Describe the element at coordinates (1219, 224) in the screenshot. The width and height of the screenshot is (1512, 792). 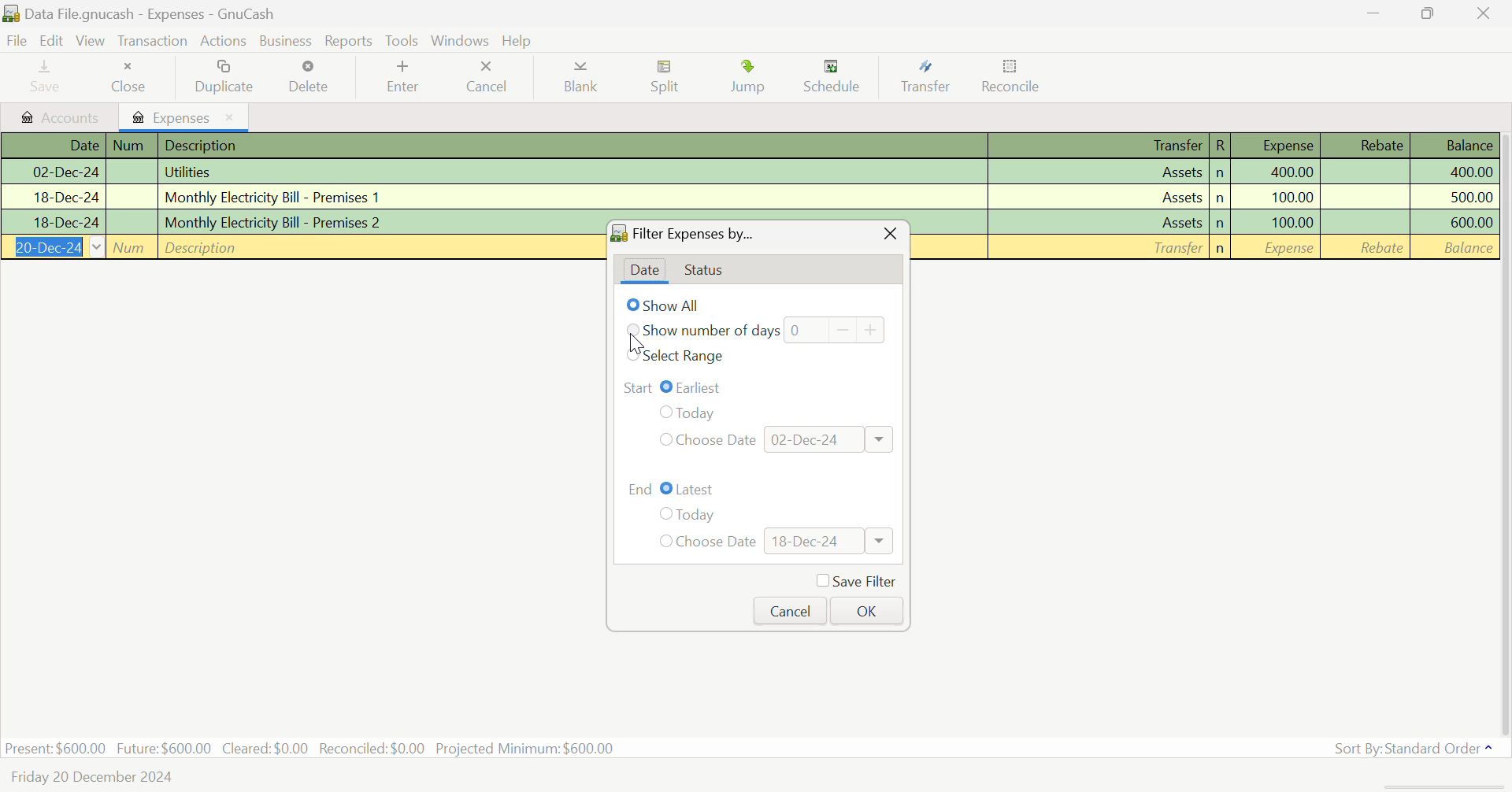
I see `n` at that location.